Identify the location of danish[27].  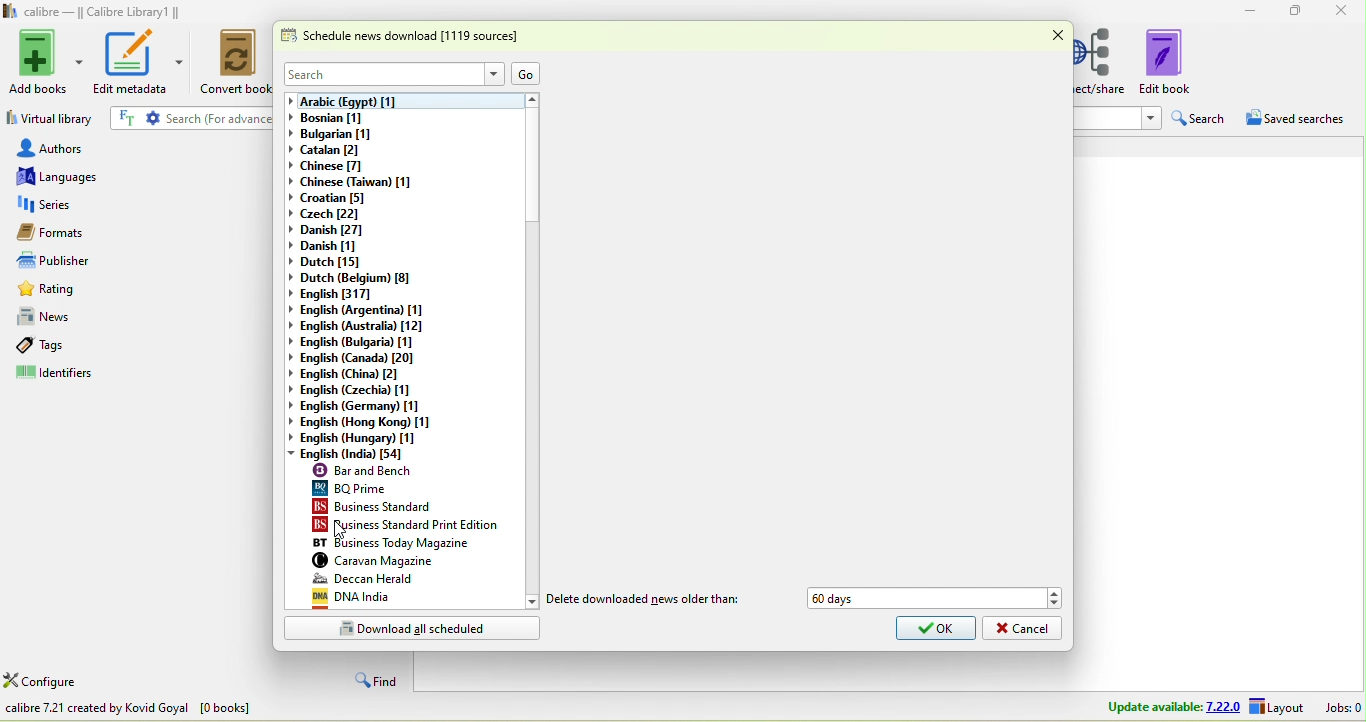
(337, 230).